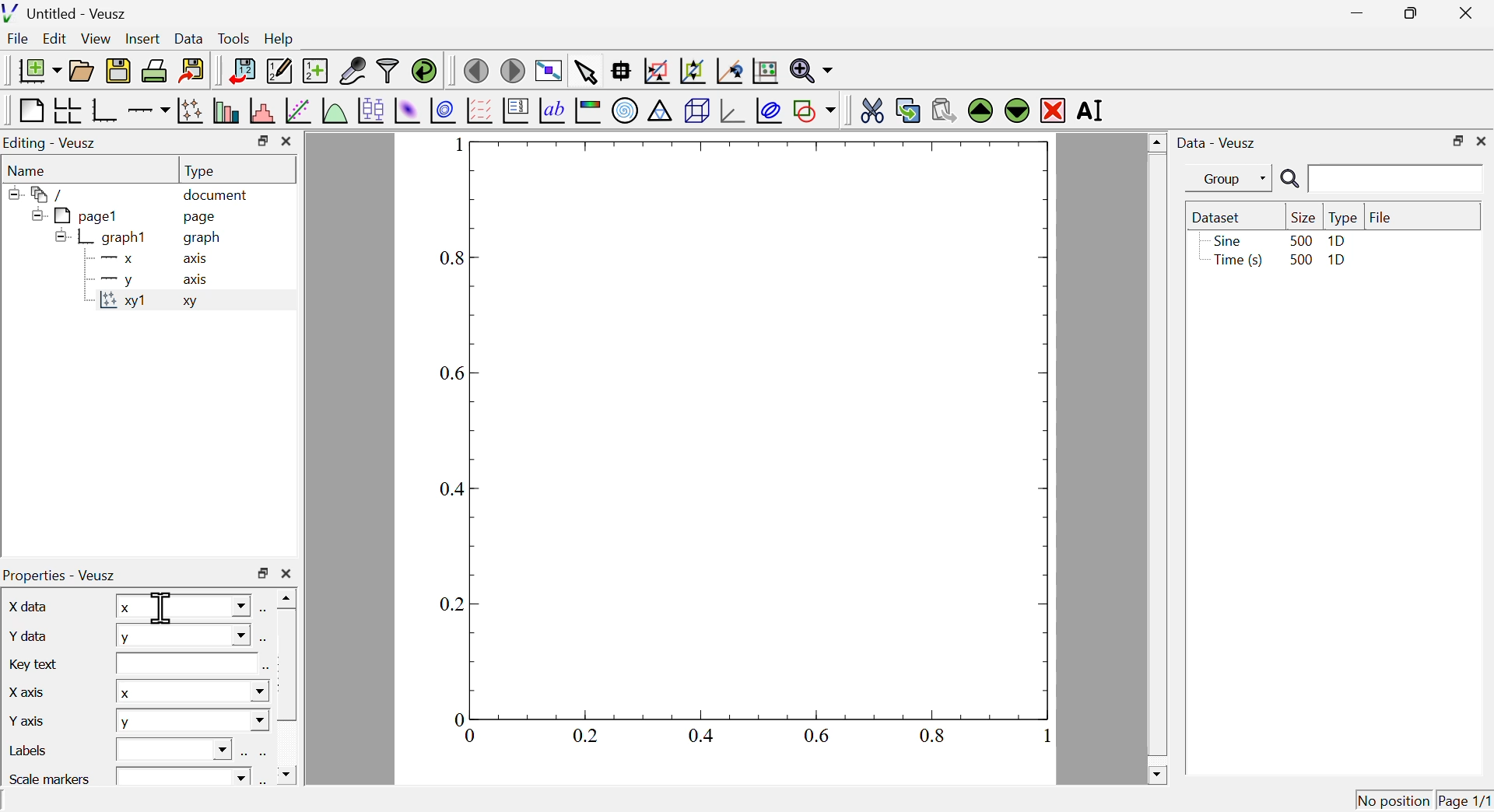 This screenshot has width=1494, height=812. I want to click on copy the selected widget, so click(908, 109).